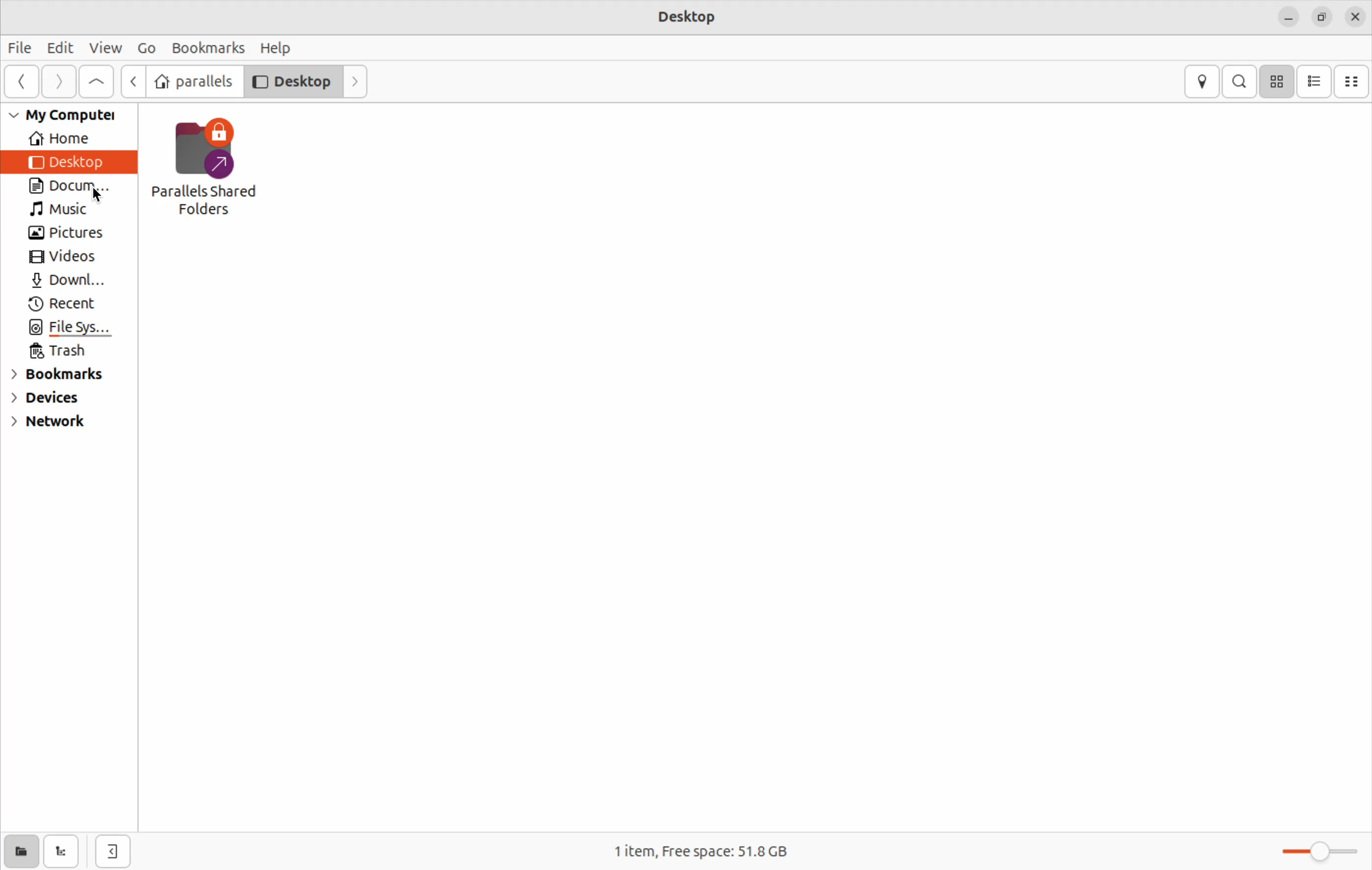 The width and height of the screenshot is (1372, 870). What do you see at coordinates (69, 115) in the screenshot?
I see `My computer` at bounding box center [69, 115].